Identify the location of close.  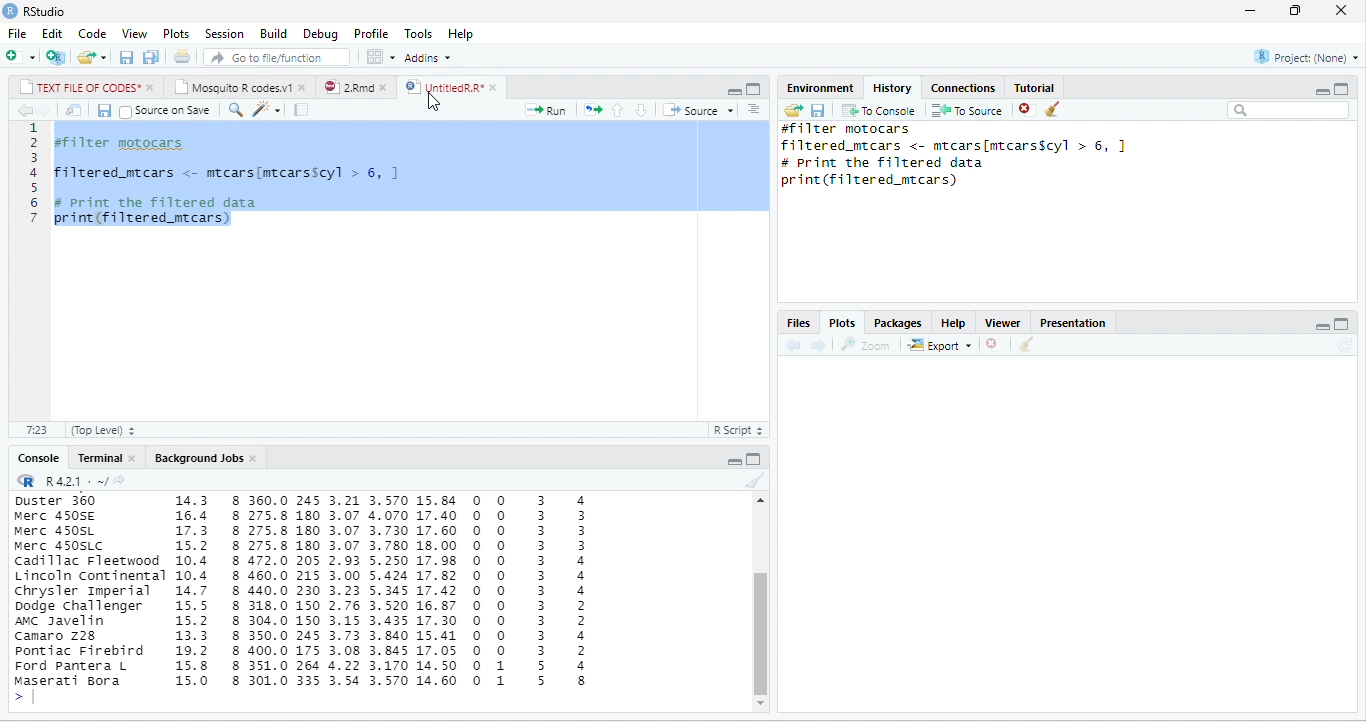
(385, 88).